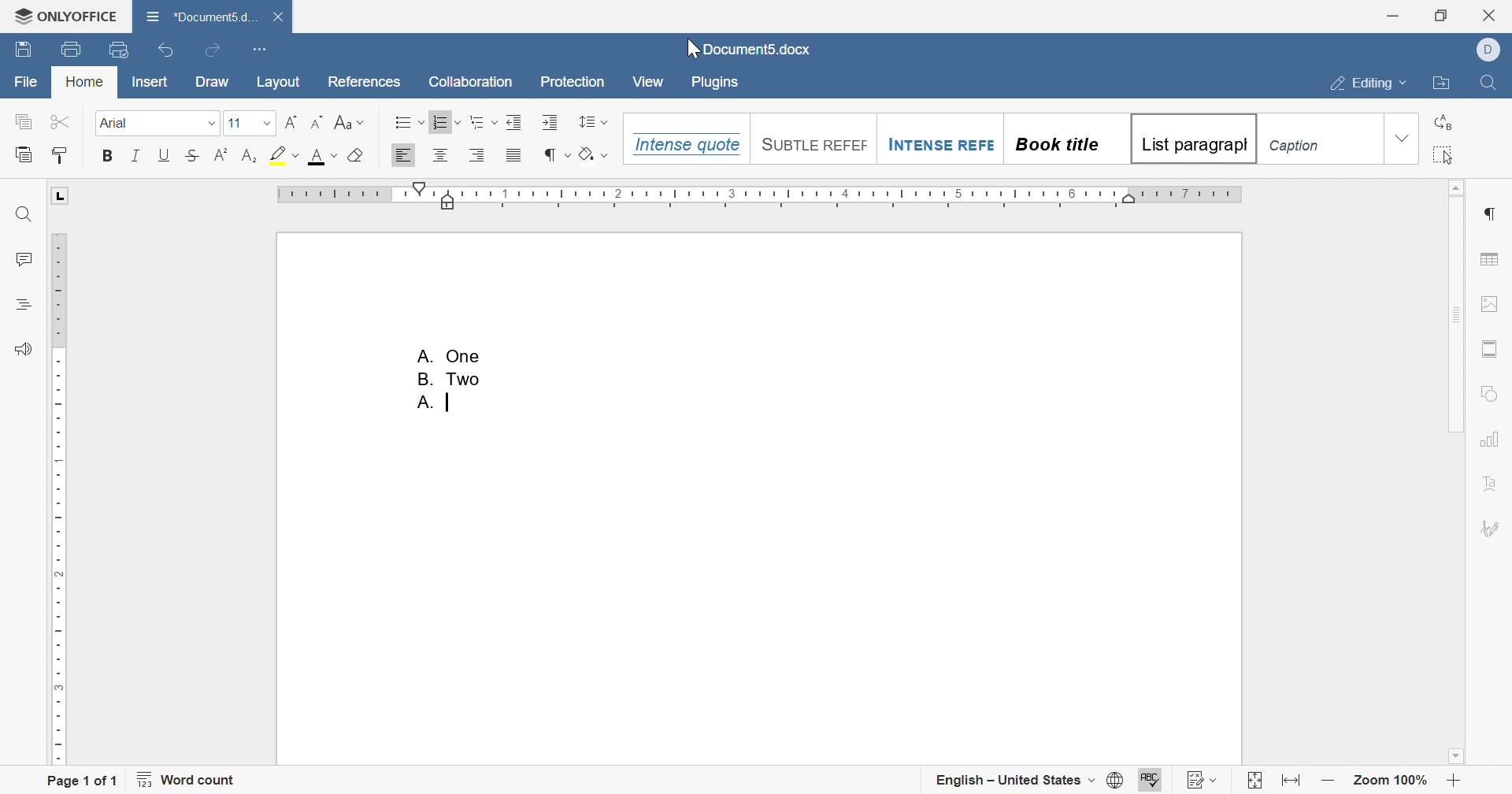  Describe the element at coordinates (203, 16) in the screenshot. I see `*document5.docx` at that location.